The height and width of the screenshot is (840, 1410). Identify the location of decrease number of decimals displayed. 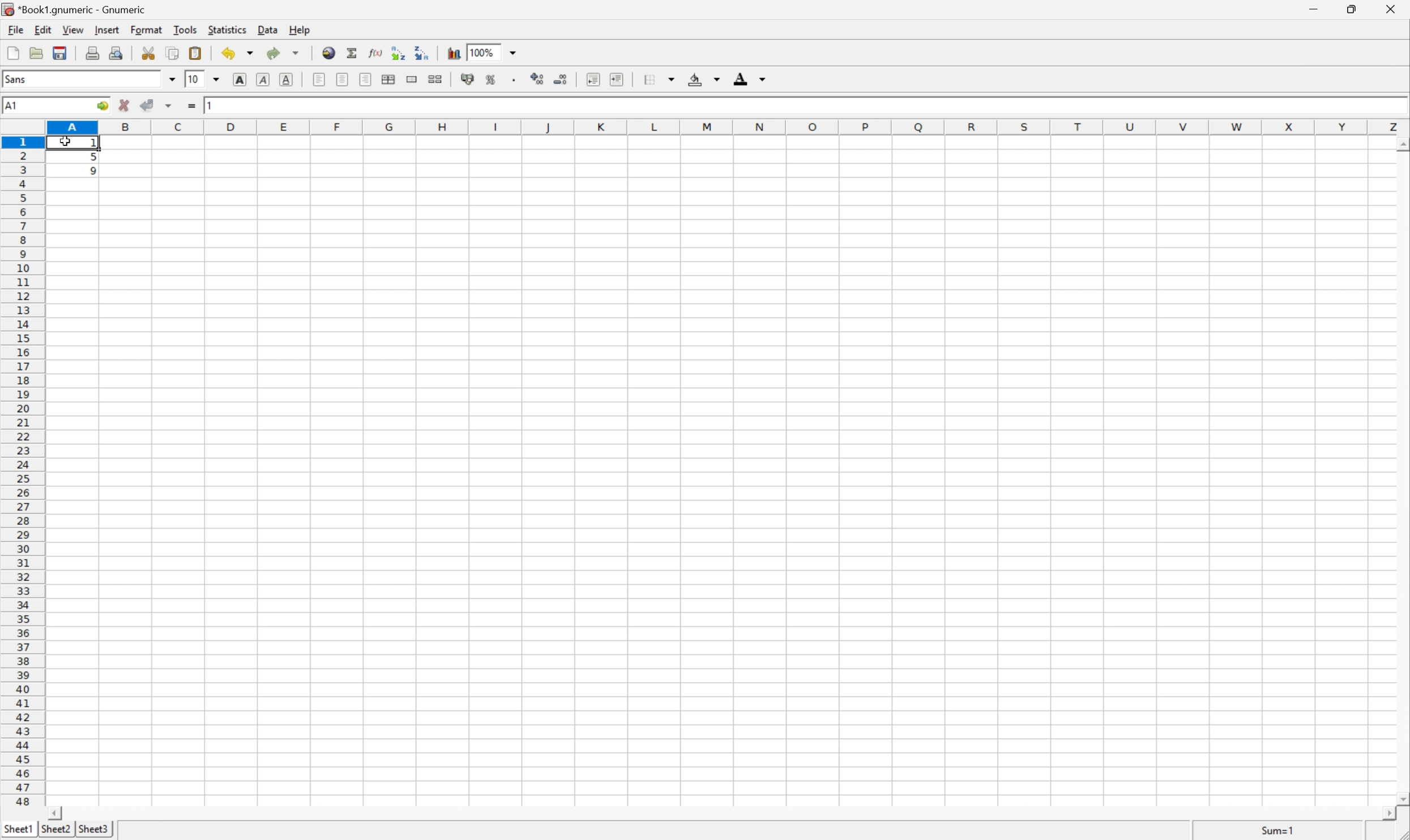
(559, 79).